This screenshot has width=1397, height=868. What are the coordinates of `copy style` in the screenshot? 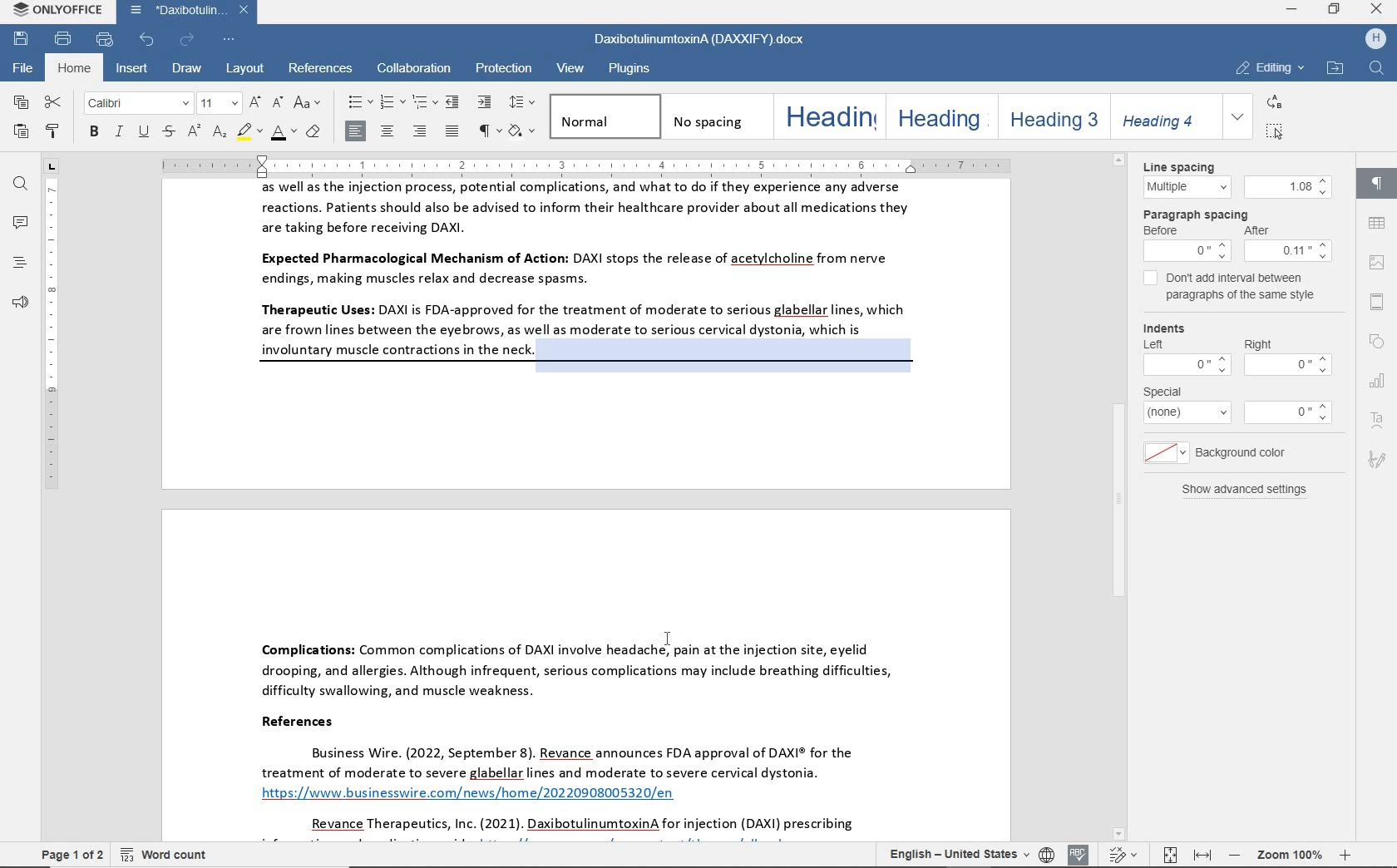 It's located at (55, 133).